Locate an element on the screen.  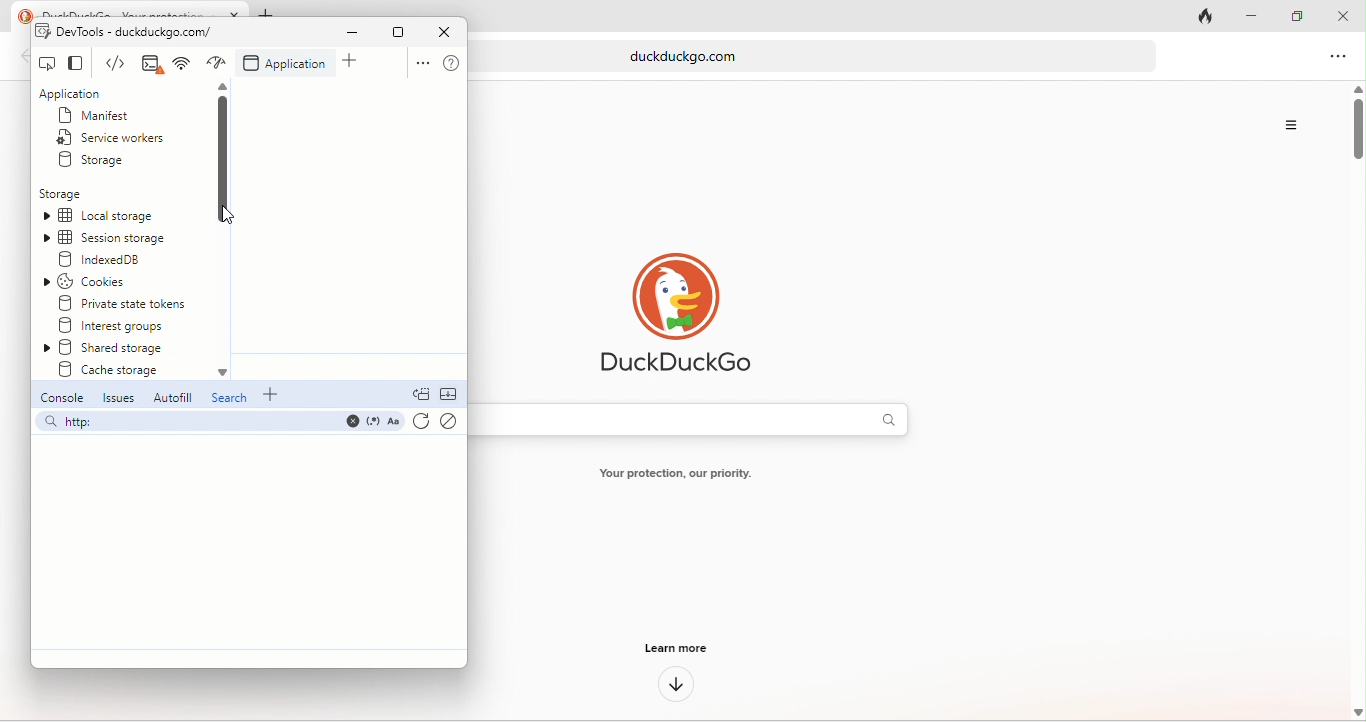
issues is located at coordinates (119, 399).